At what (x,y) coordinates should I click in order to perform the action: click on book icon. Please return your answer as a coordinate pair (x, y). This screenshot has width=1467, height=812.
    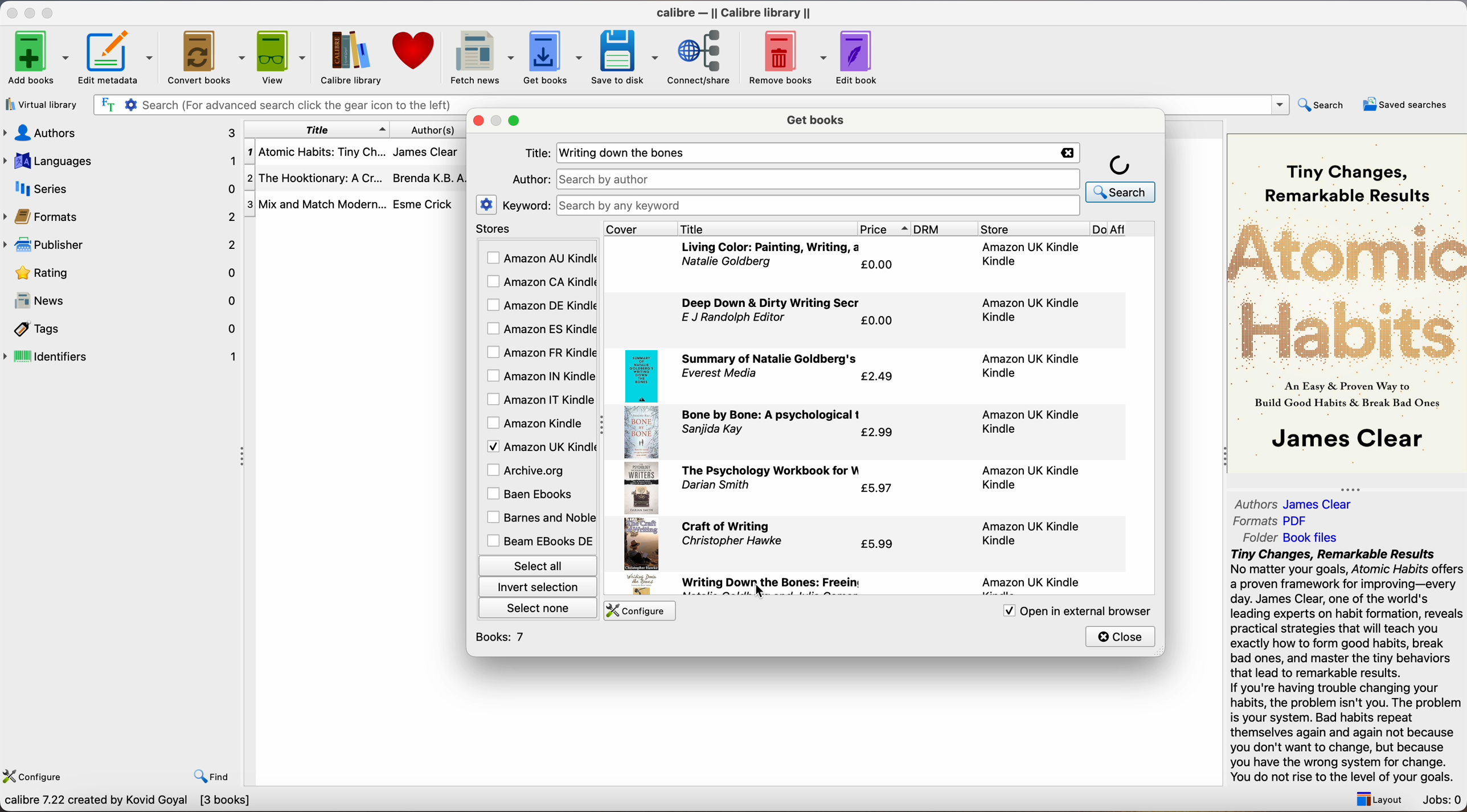
    Looking at the image, I should click on (641, 376).